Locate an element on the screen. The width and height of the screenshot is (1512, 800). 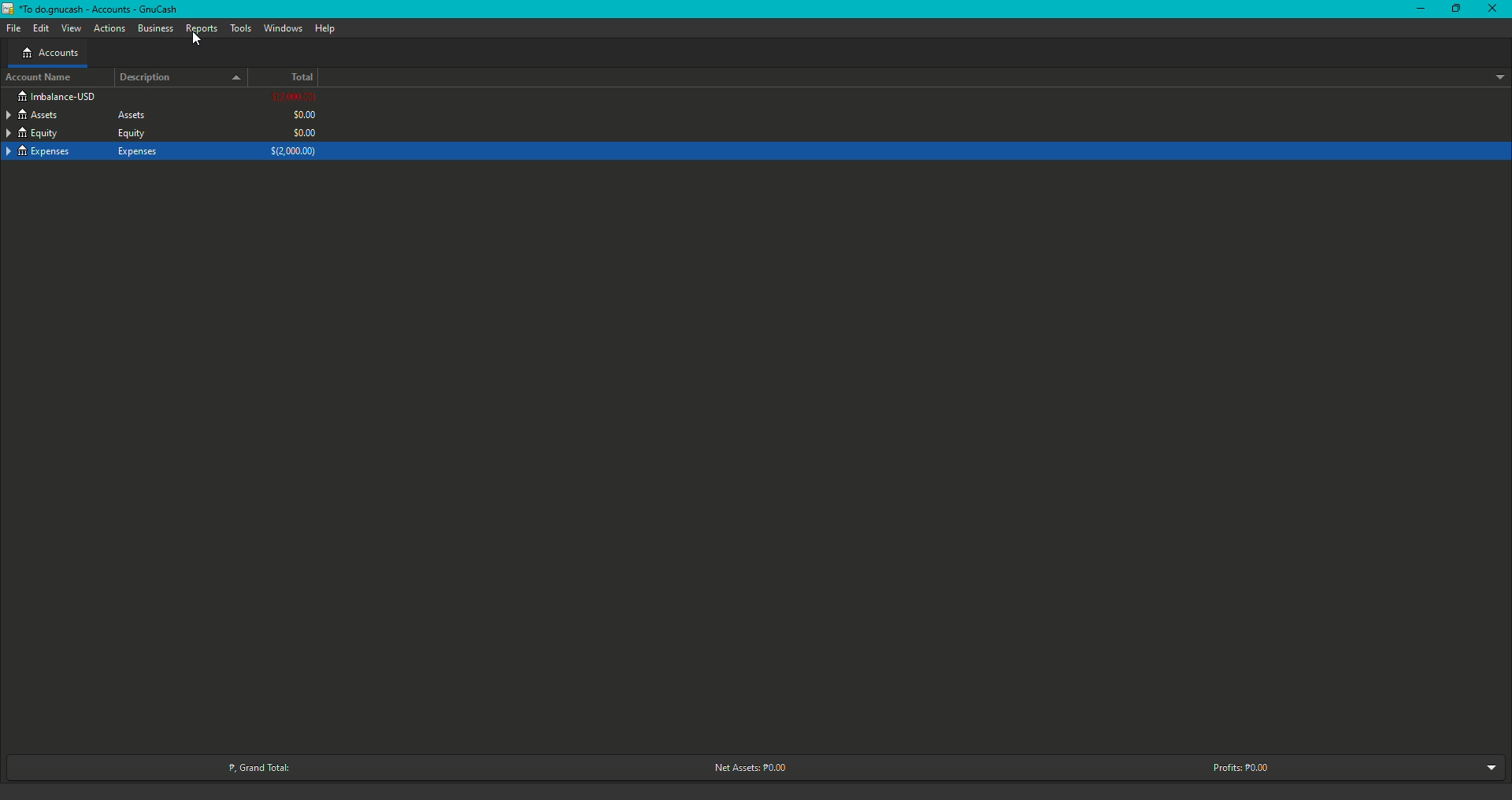
cursor is located at coordinates (199, 43).